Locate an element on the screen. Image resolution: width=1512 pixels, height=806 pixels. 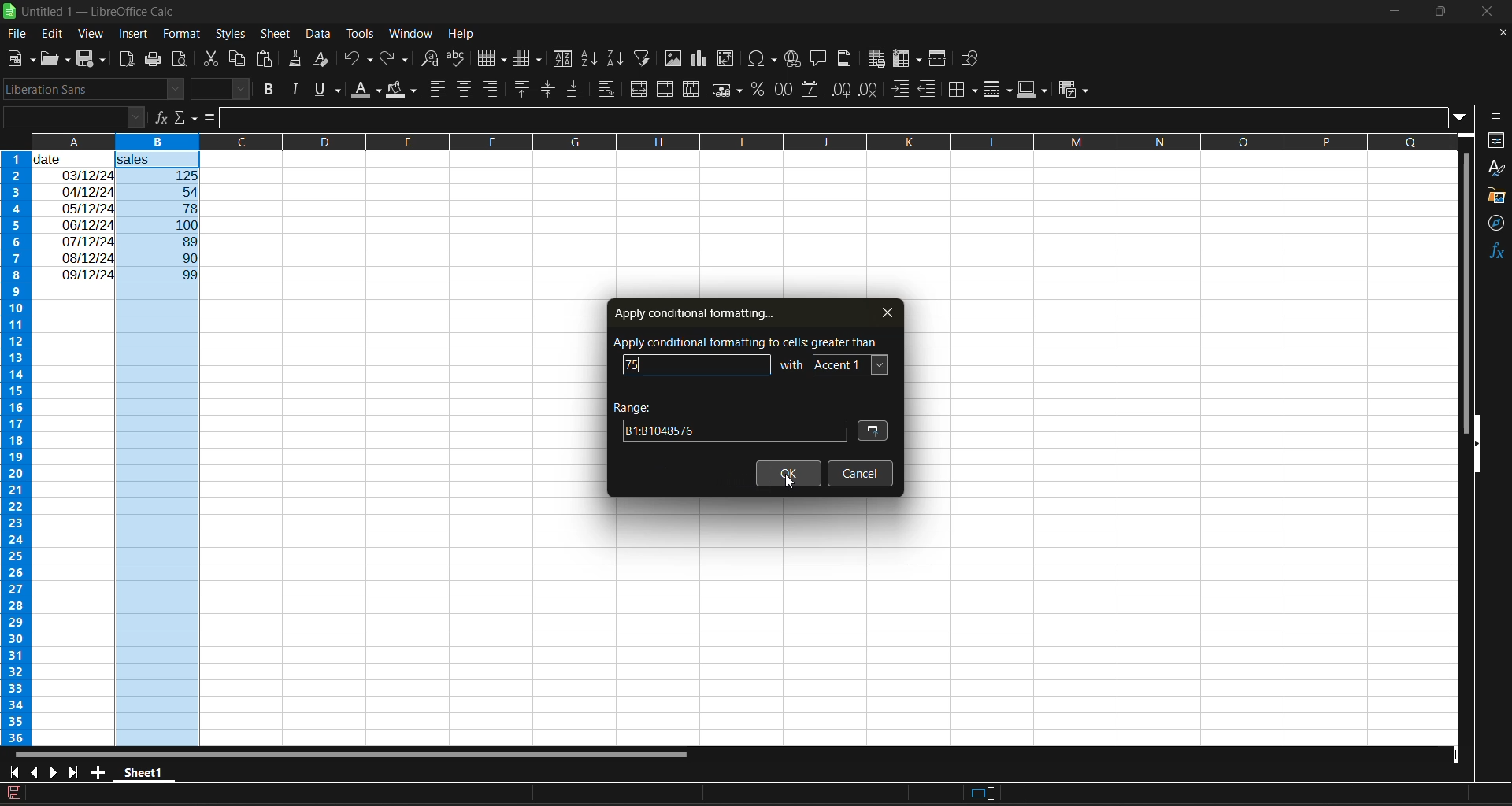
data is located at coordinates (74, 216).